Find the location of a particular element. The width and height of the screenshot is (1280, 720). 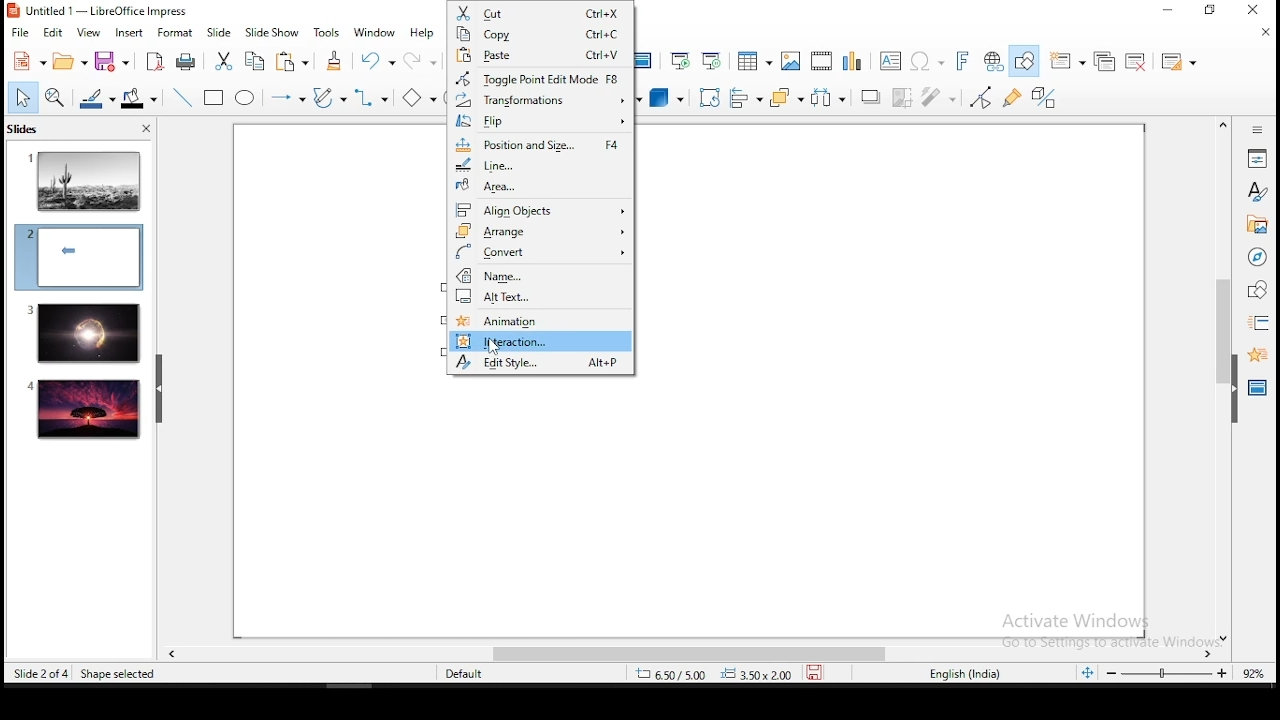

delete slide is located at coordinates (1139, 62).